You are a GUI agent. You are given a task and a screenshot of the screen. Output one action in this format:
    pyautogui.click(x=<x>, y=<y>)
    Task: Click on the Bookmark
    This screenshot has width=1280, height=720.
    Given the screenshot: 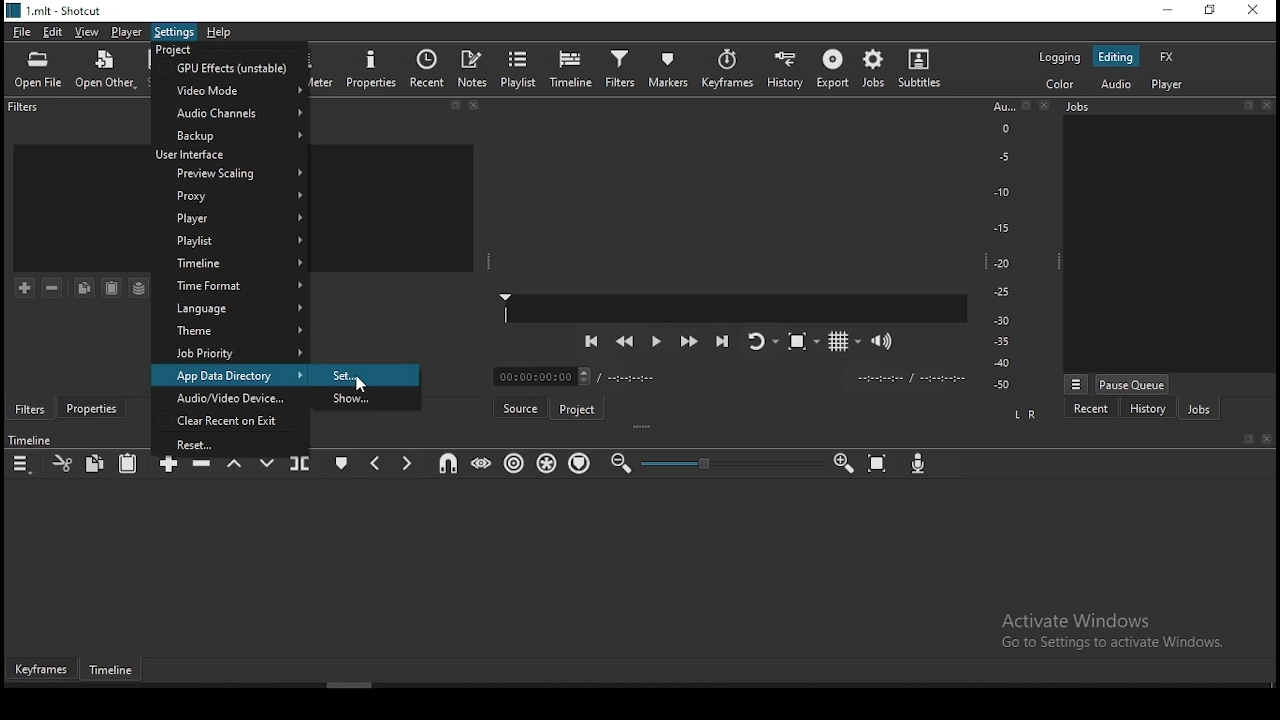 What is the action you would take?
    pyautogui.click(x=1248, y=439)
    